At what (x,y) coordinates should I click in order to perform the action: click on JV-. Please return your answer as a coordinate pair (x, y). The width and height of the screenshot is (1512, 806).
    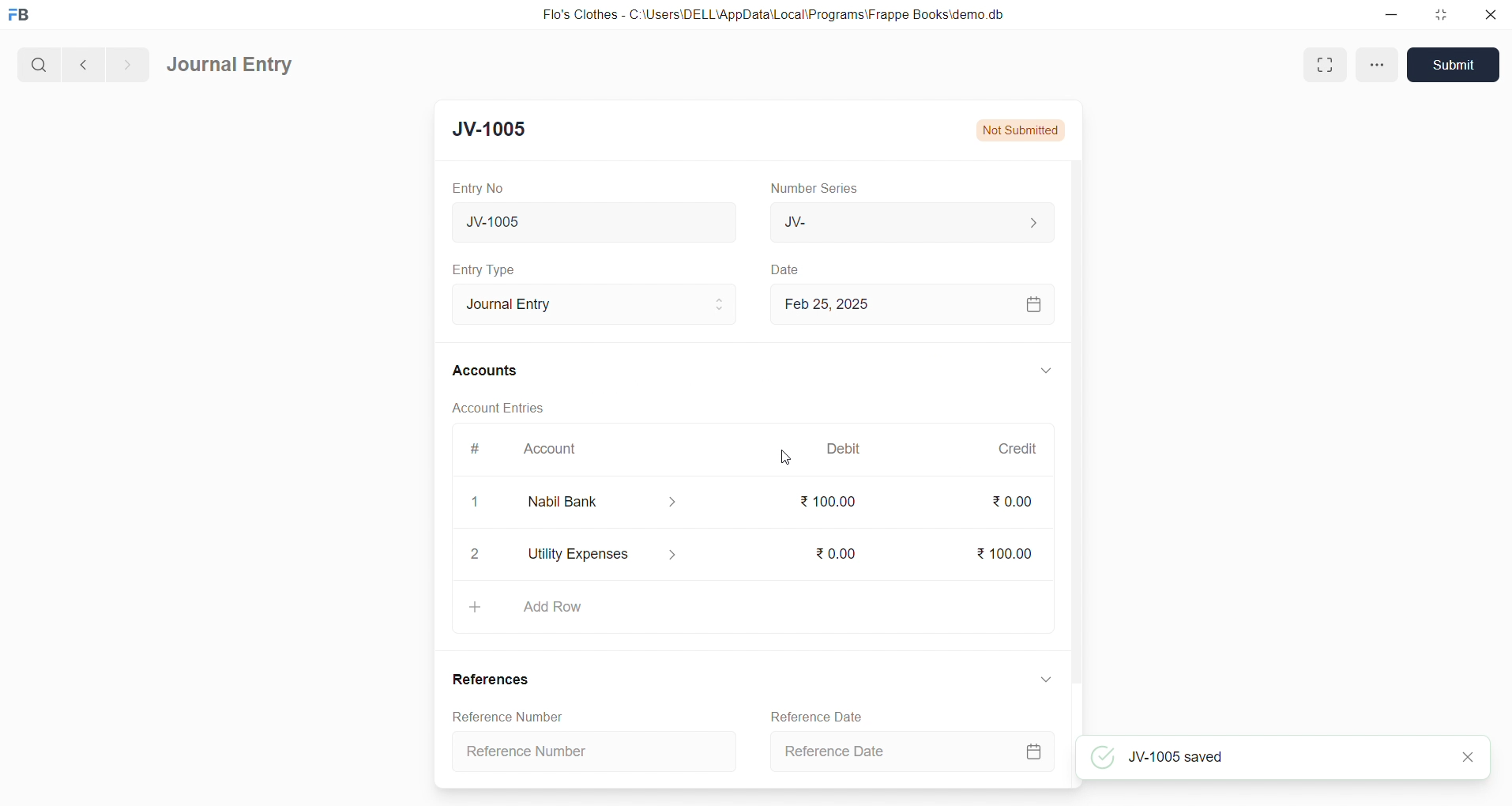
    Looking at the image, I should click on (910, 223).